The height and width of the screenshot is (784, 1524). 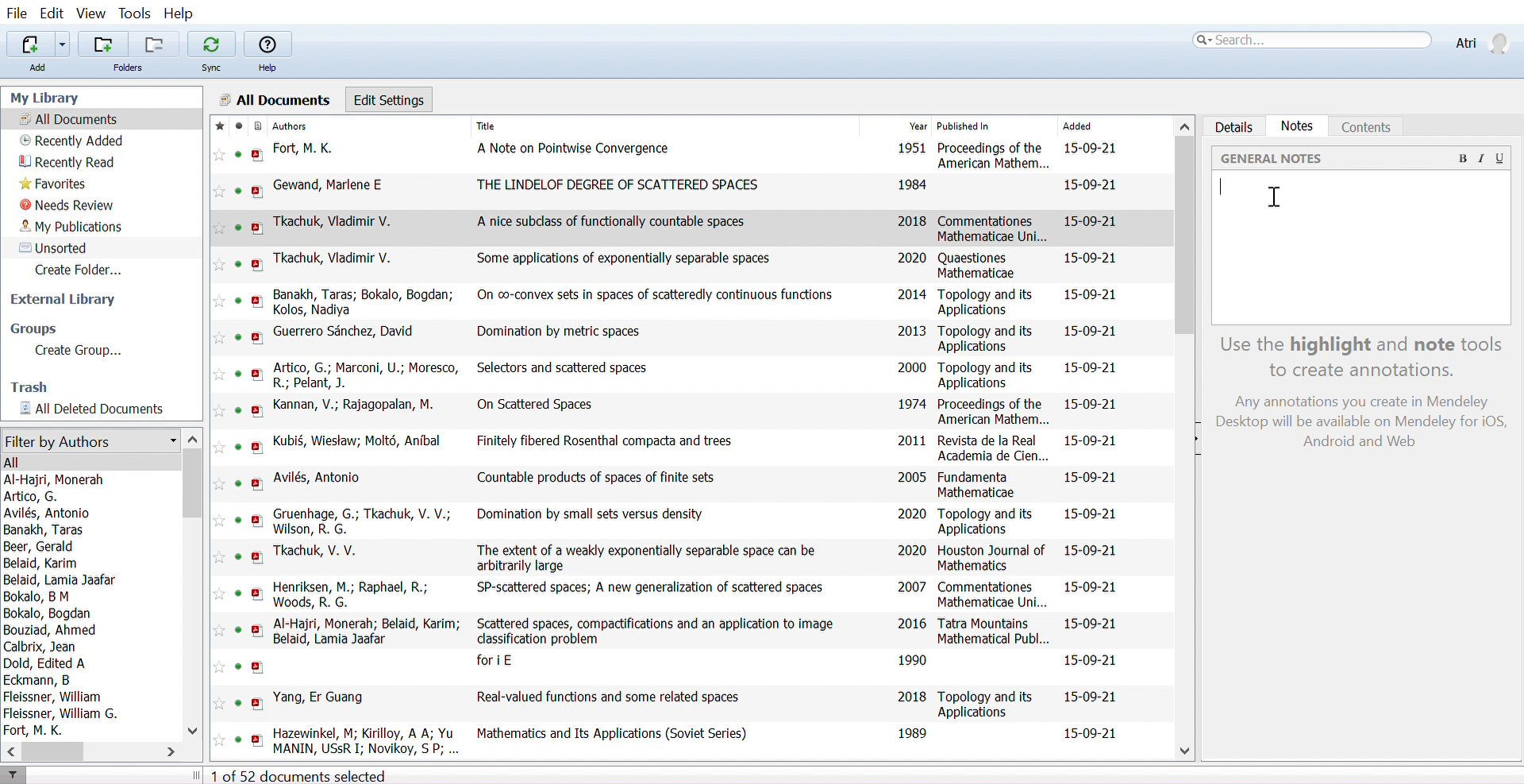 What do you see at coordinates (53, 751) in the screenshot?
I see `Horizontal scrollbar for filter by auhtors` at bounding box center [53, 751].